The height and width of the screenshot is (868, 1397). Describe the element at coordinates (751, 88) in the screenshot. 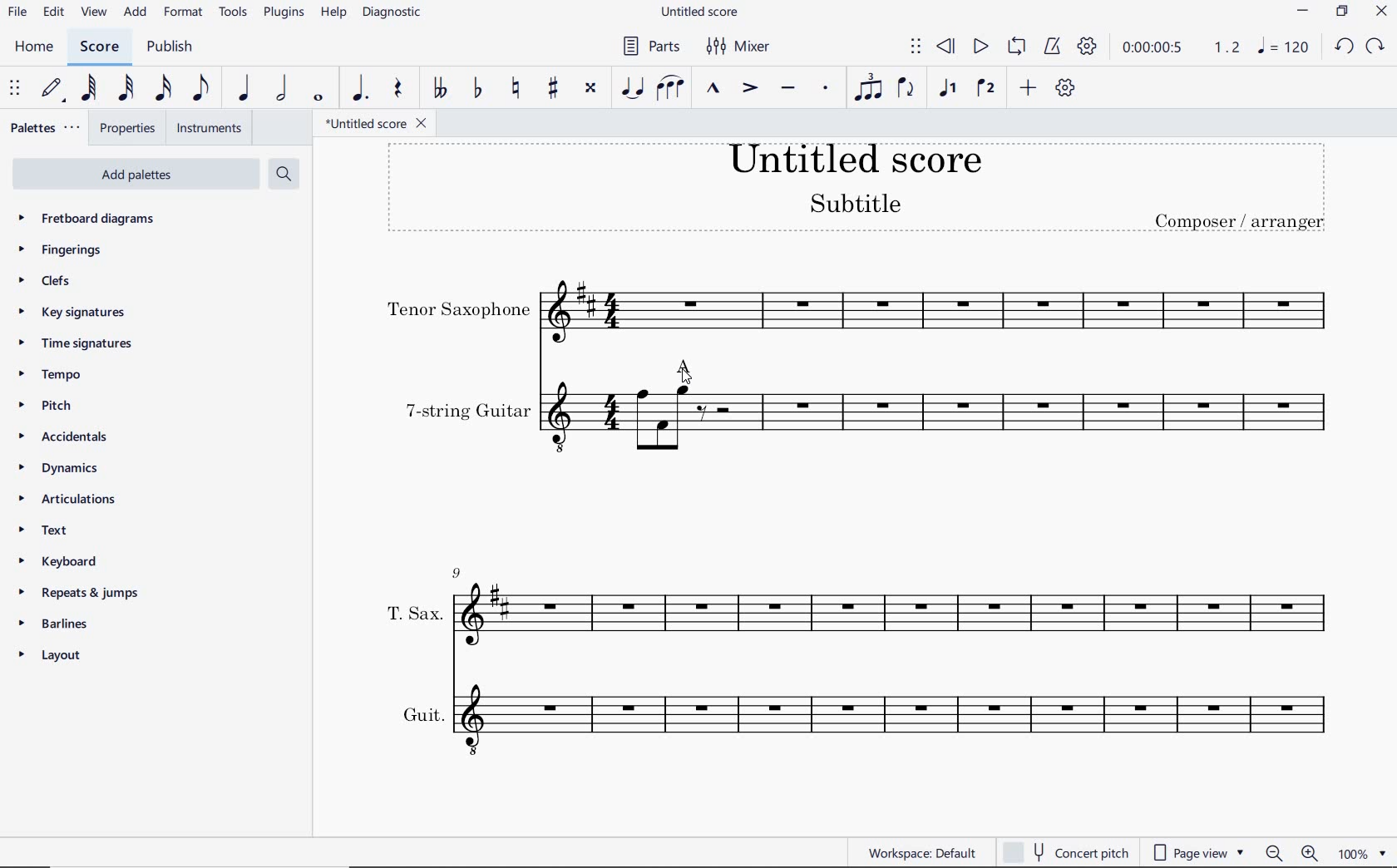

I see `ACCENT` at that location.